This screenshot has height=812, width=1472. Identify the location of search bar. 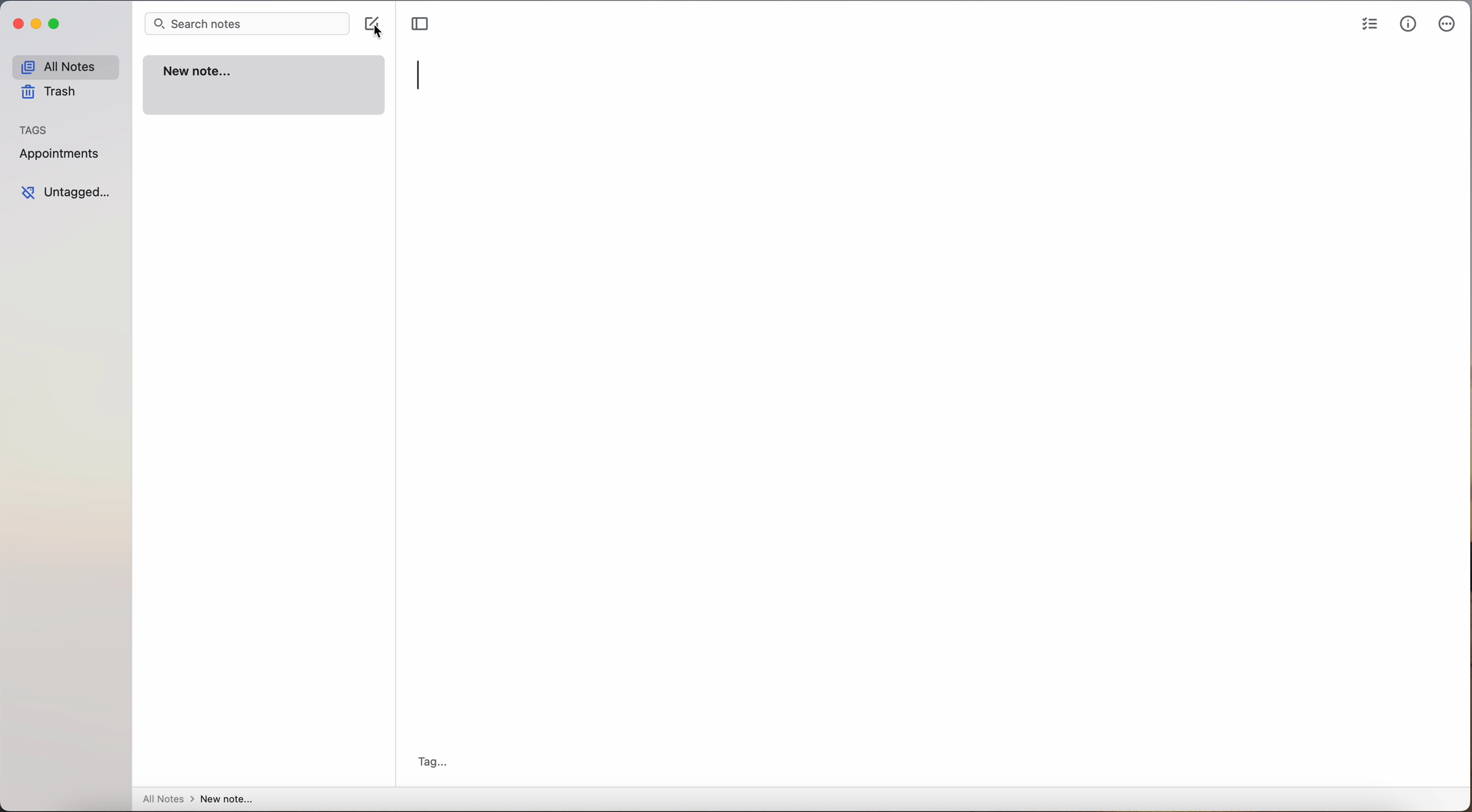
(247, 23).